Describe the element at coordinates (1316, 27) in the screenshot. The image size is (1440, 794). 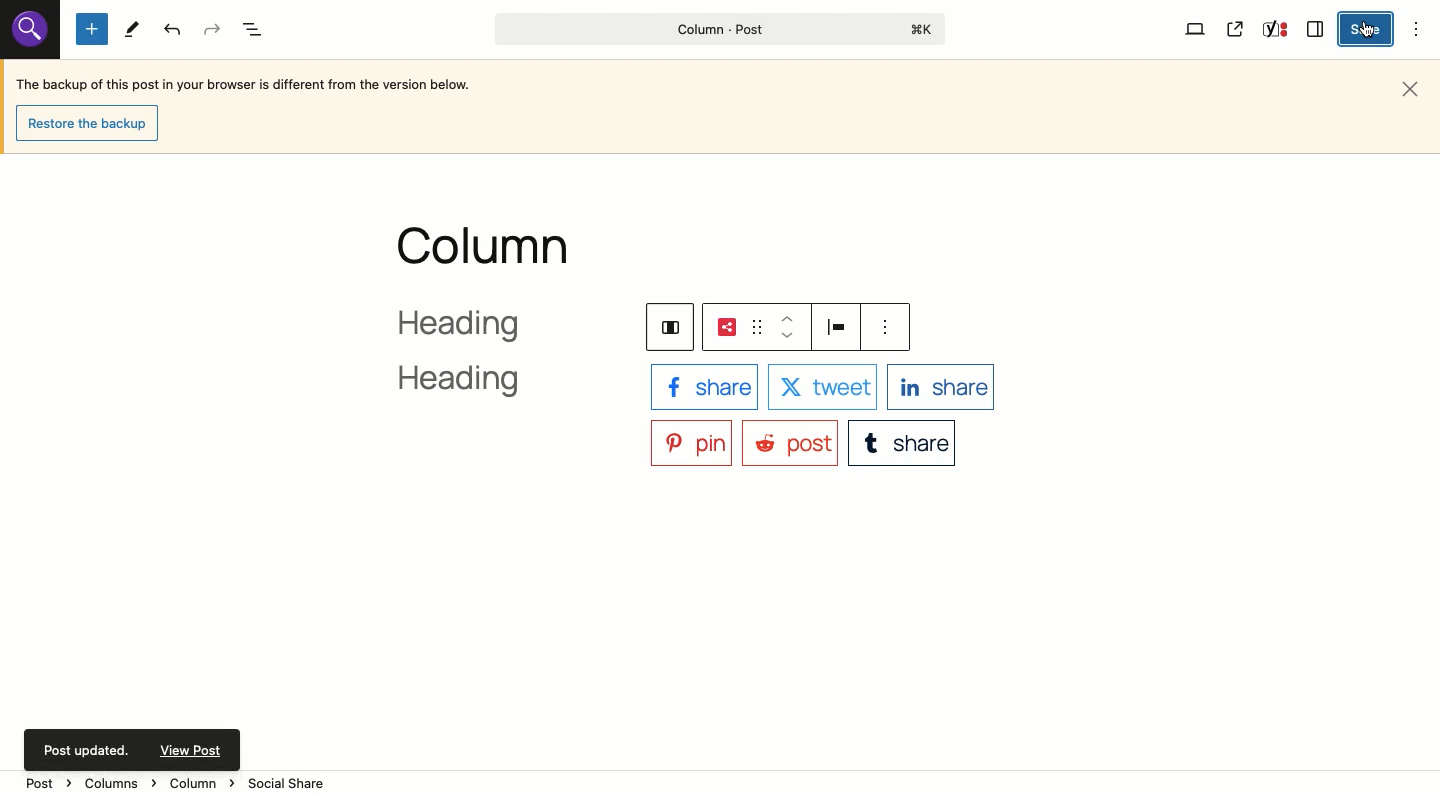
I see `Sidebar` at that location.